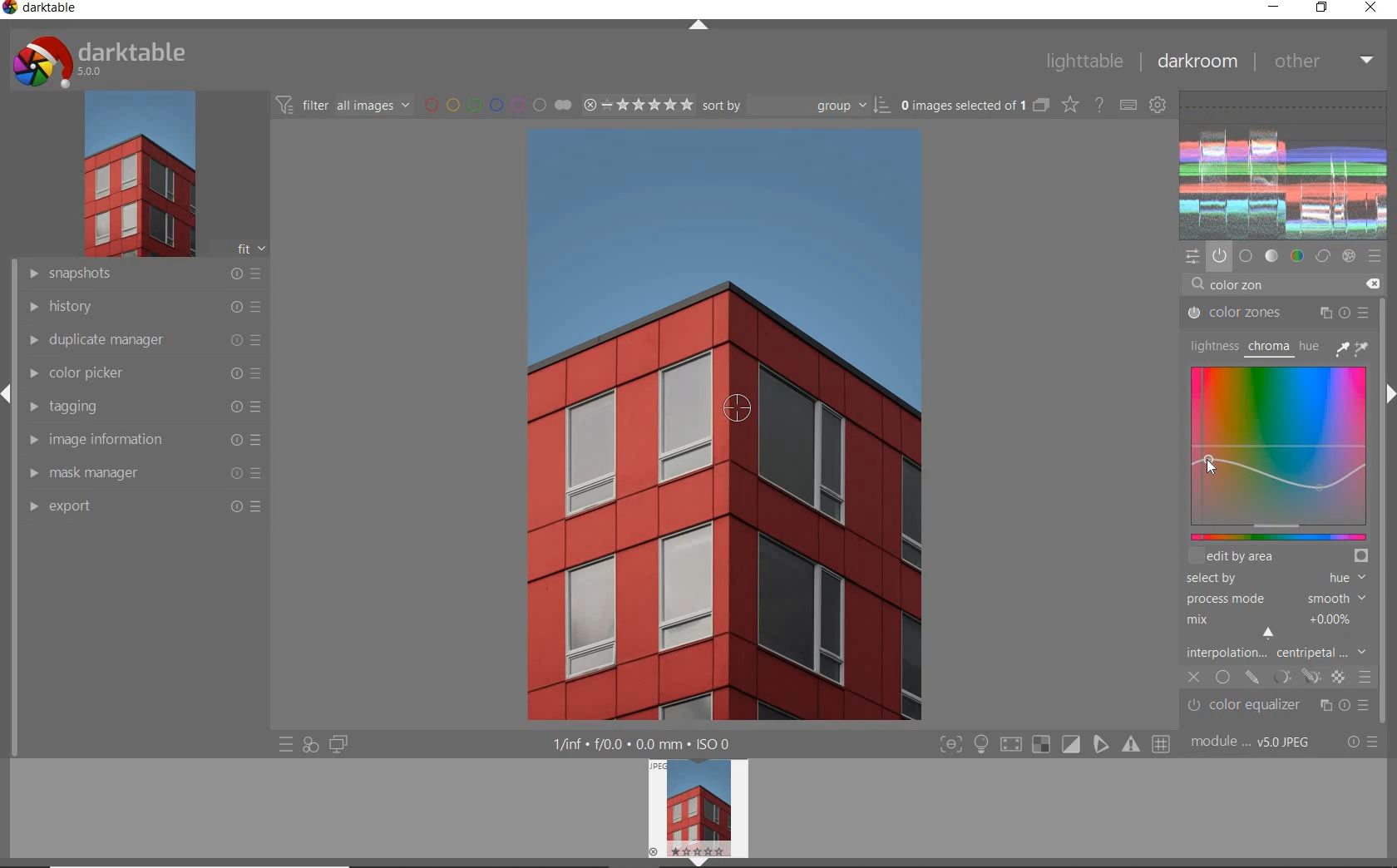 This screenshot has width=1397, height=868. I want to click on minimize, so click(1274, 8).